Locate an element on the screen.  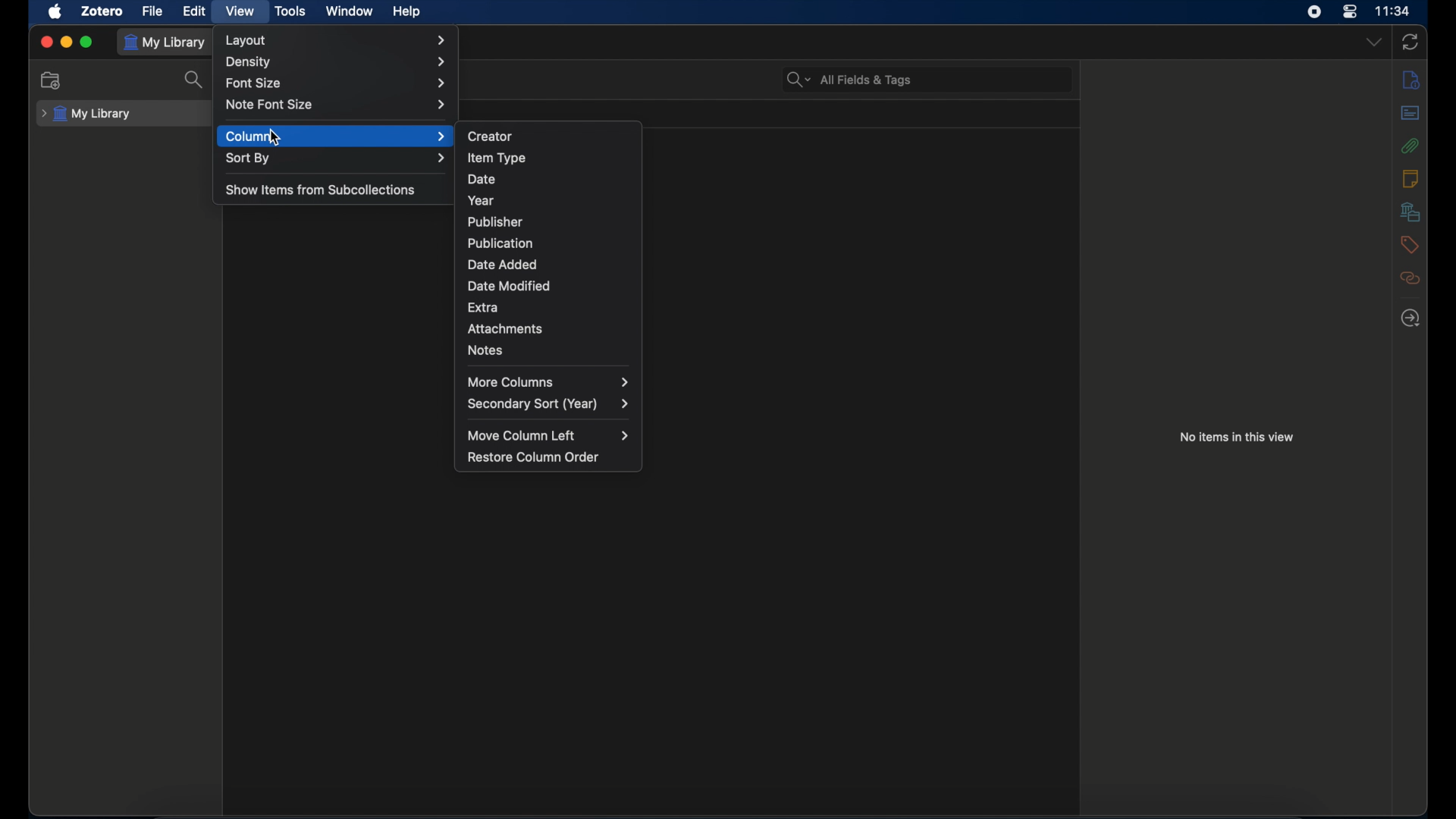
restore column order is located at coordinates (533, 457).